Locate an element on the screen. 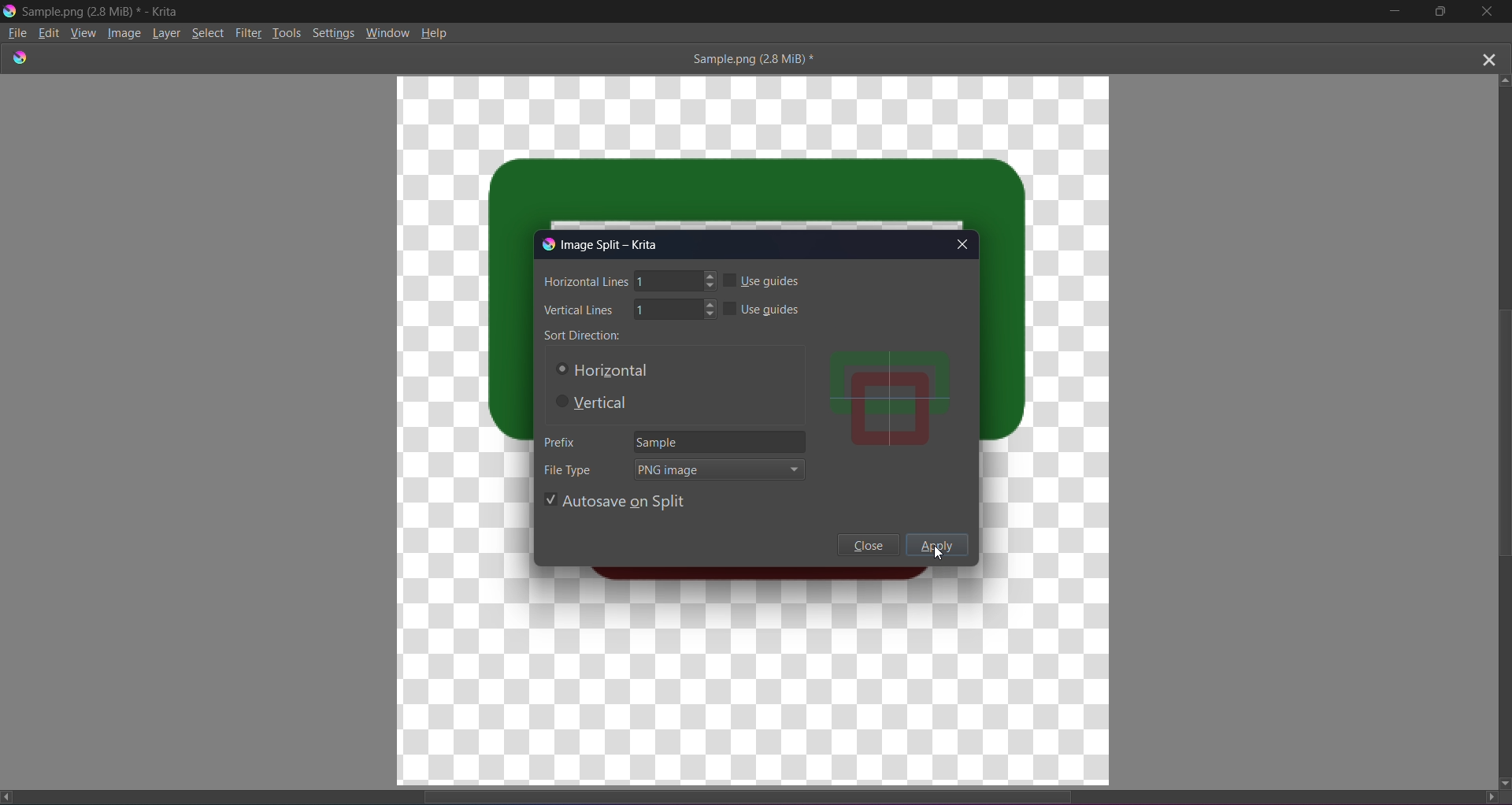 This screenshot has width=1512, height=805. Scroll left is located at coordinates (10, 796).